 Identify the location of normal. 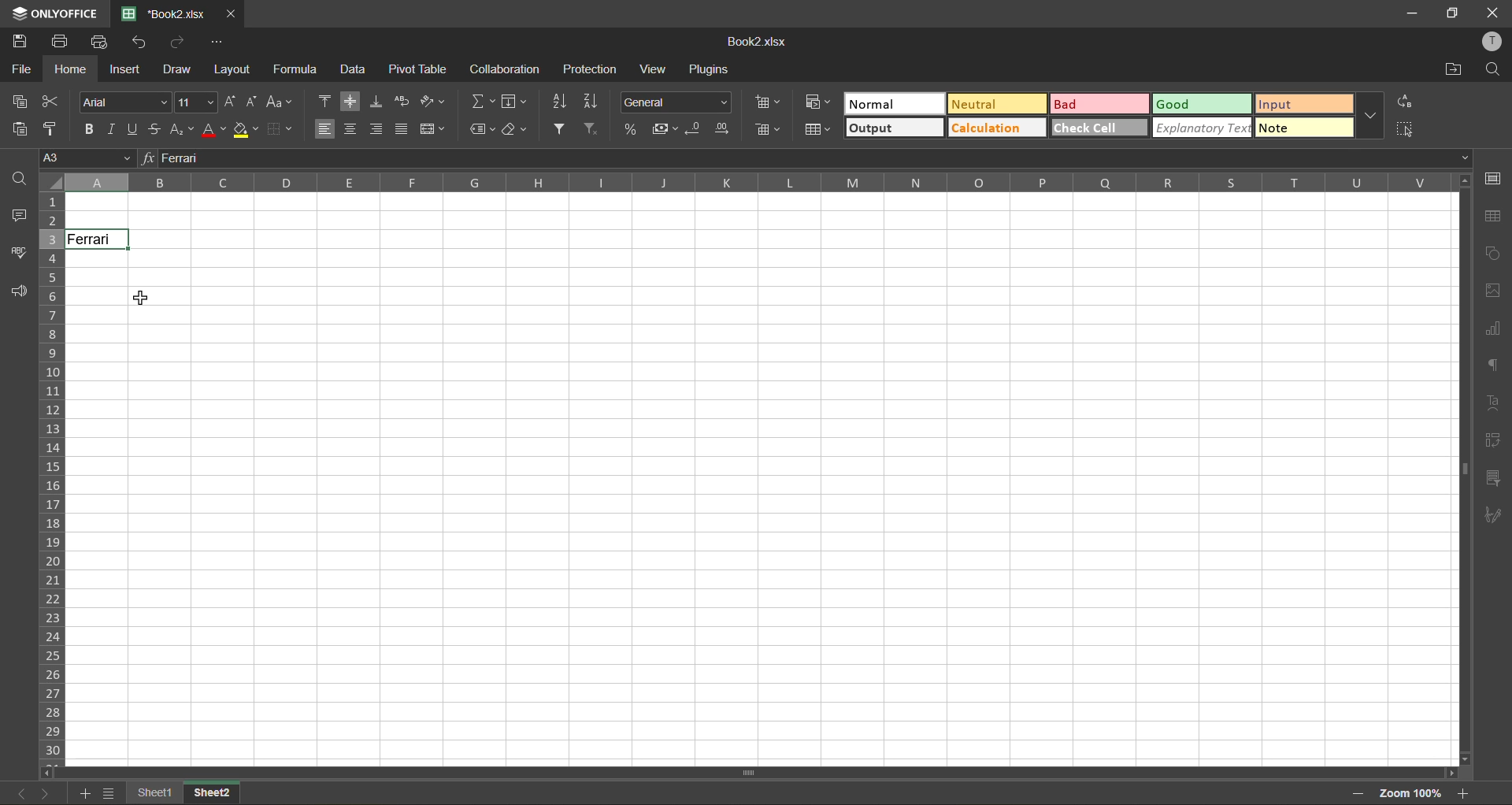
(895, 103).